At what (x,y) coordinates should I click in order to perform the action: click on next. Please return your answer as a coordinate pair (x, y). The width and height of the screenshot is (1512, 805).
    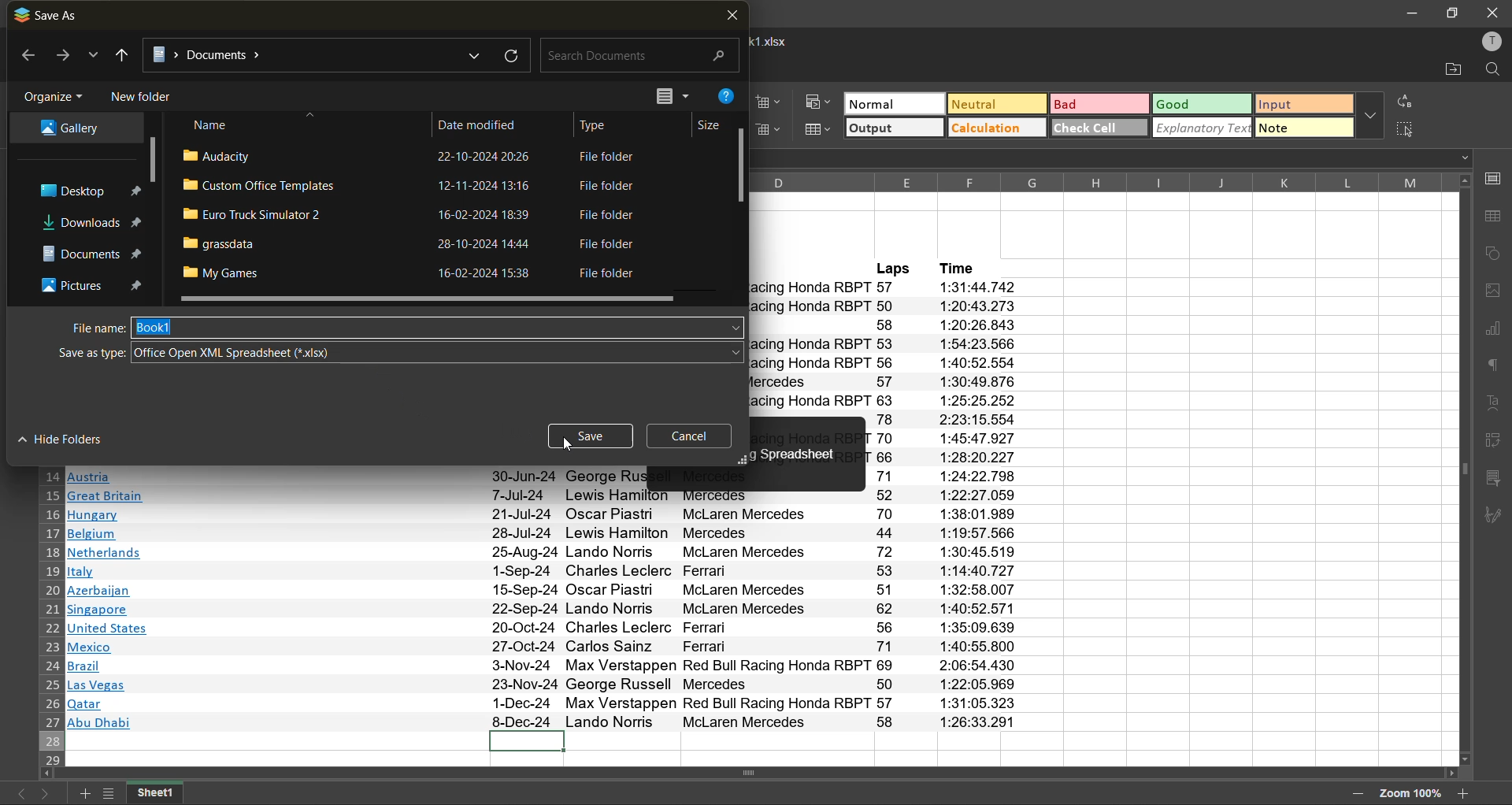
    Looking at the image, I should click on (65, 57).